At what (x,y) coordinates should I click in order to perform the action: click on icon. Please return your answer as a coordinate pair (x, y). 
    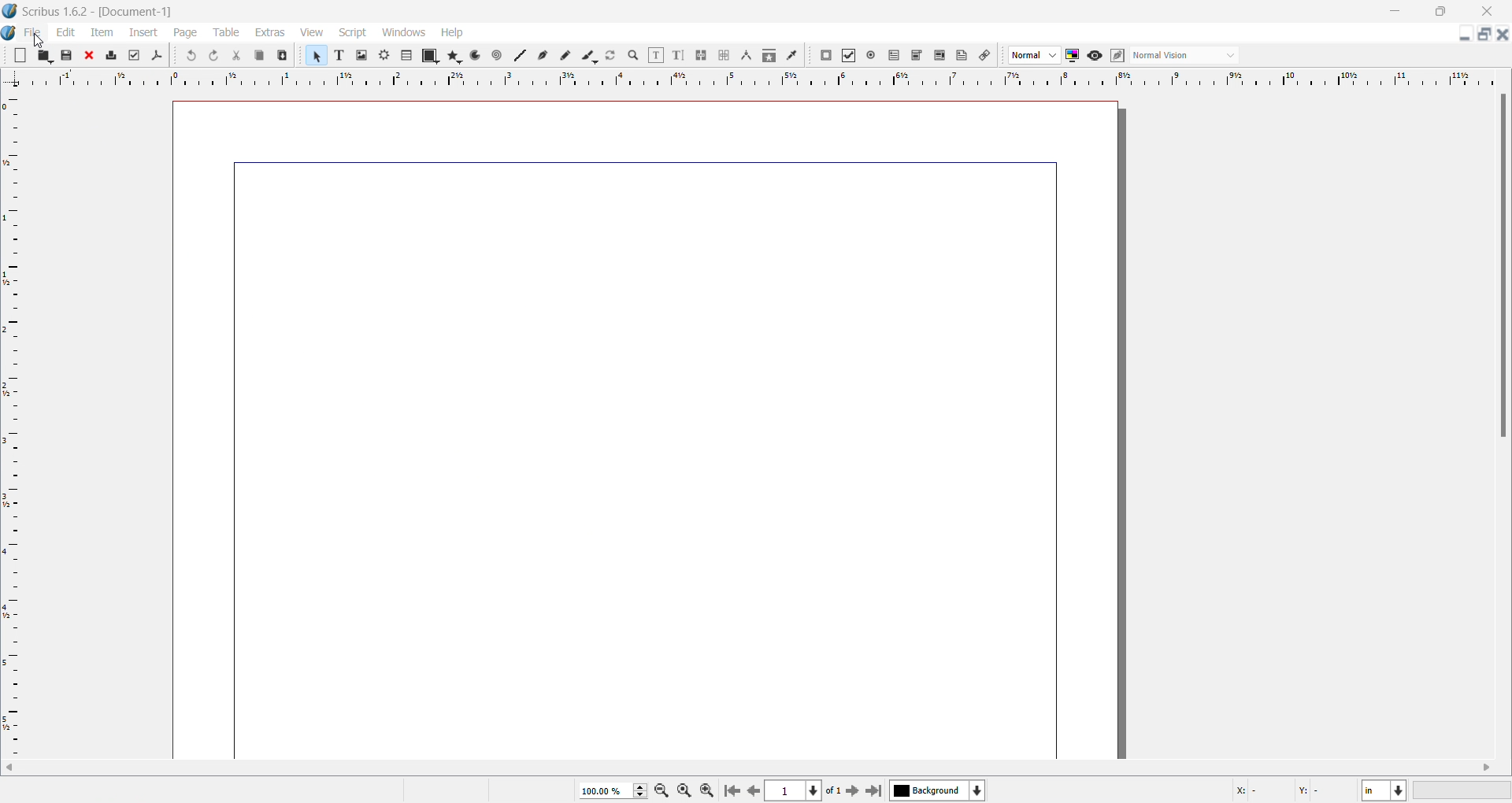
    Looking at the image, I should click on (723, 54).